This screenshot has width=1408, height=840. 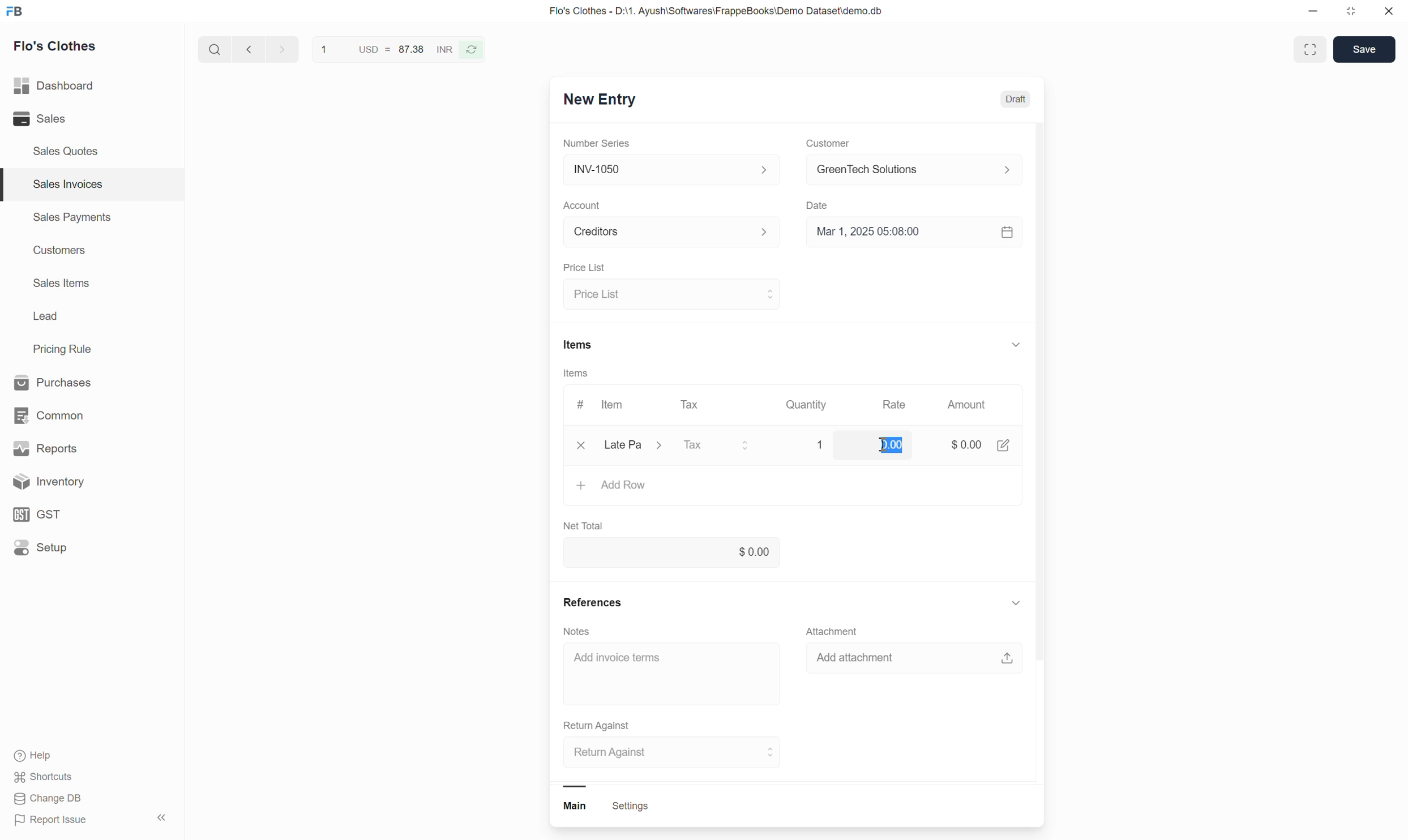 What do you see at coordinates (61, 48) in the screenshot?
I see `Flo's Clothes` at bounding box center [61, 48].